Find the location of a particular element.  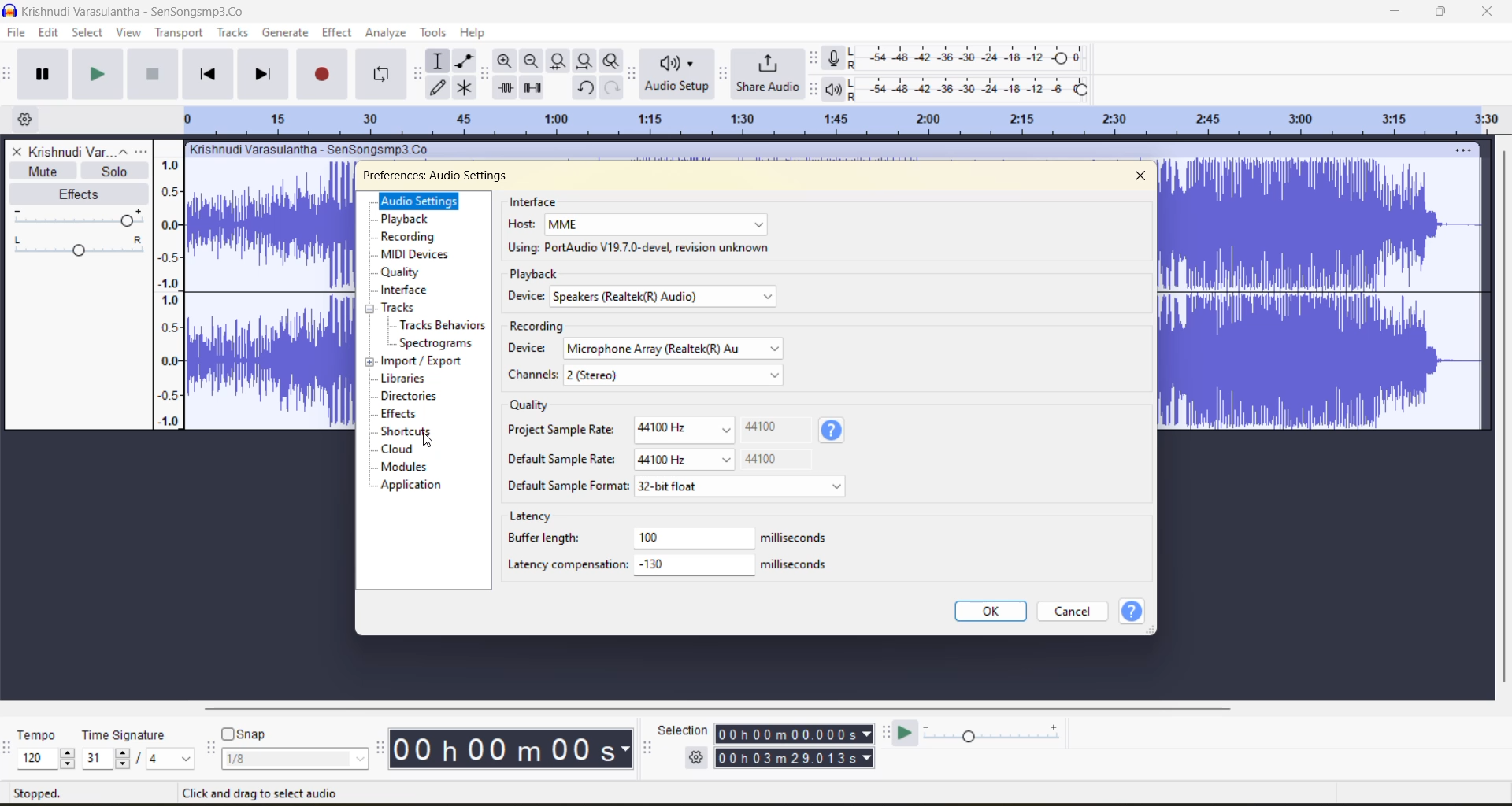

record meter is located at coordinates (836, 58).